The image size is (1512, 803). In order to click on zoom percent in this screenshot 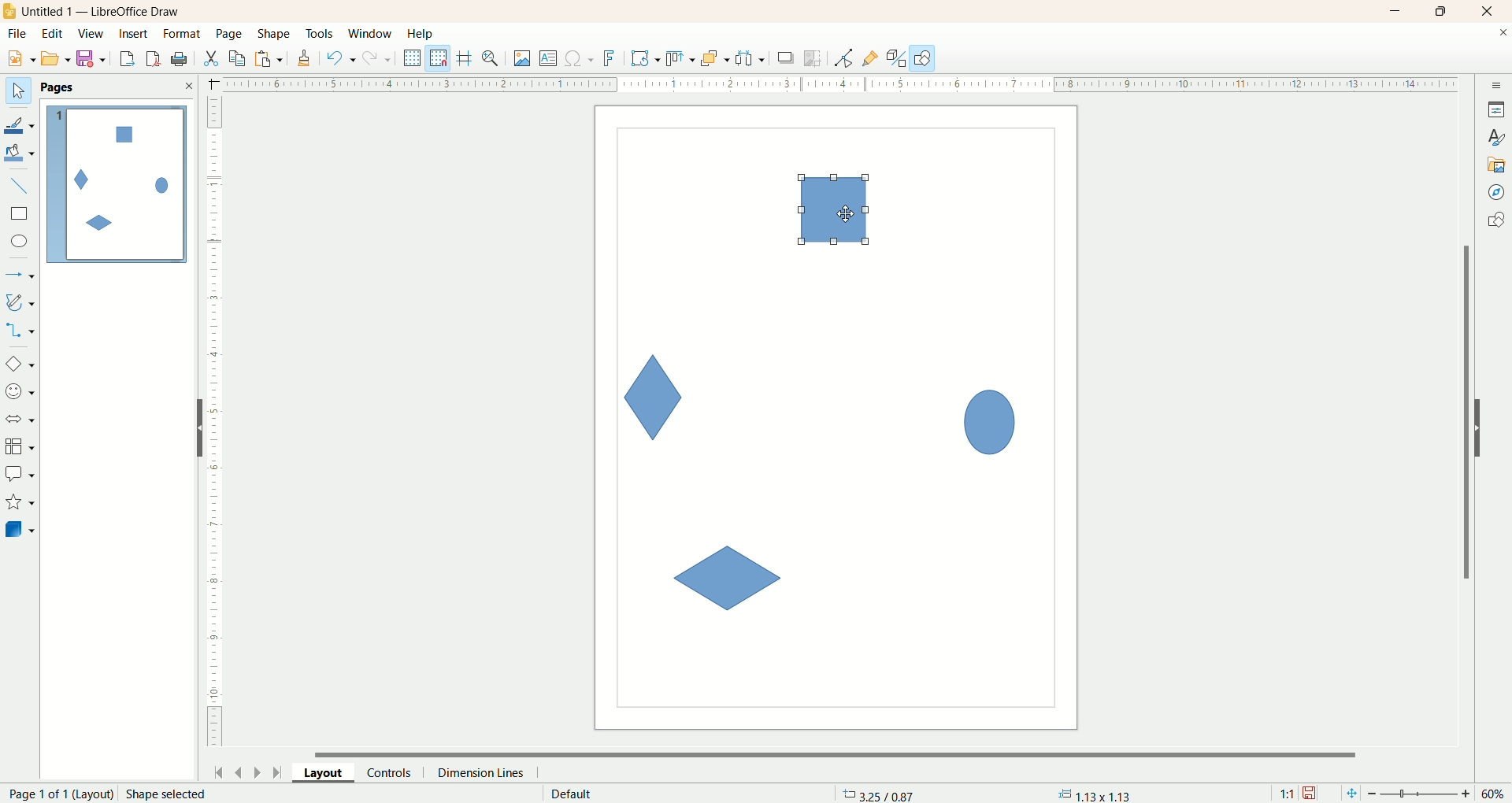, I will do `click(1495, 794)`.